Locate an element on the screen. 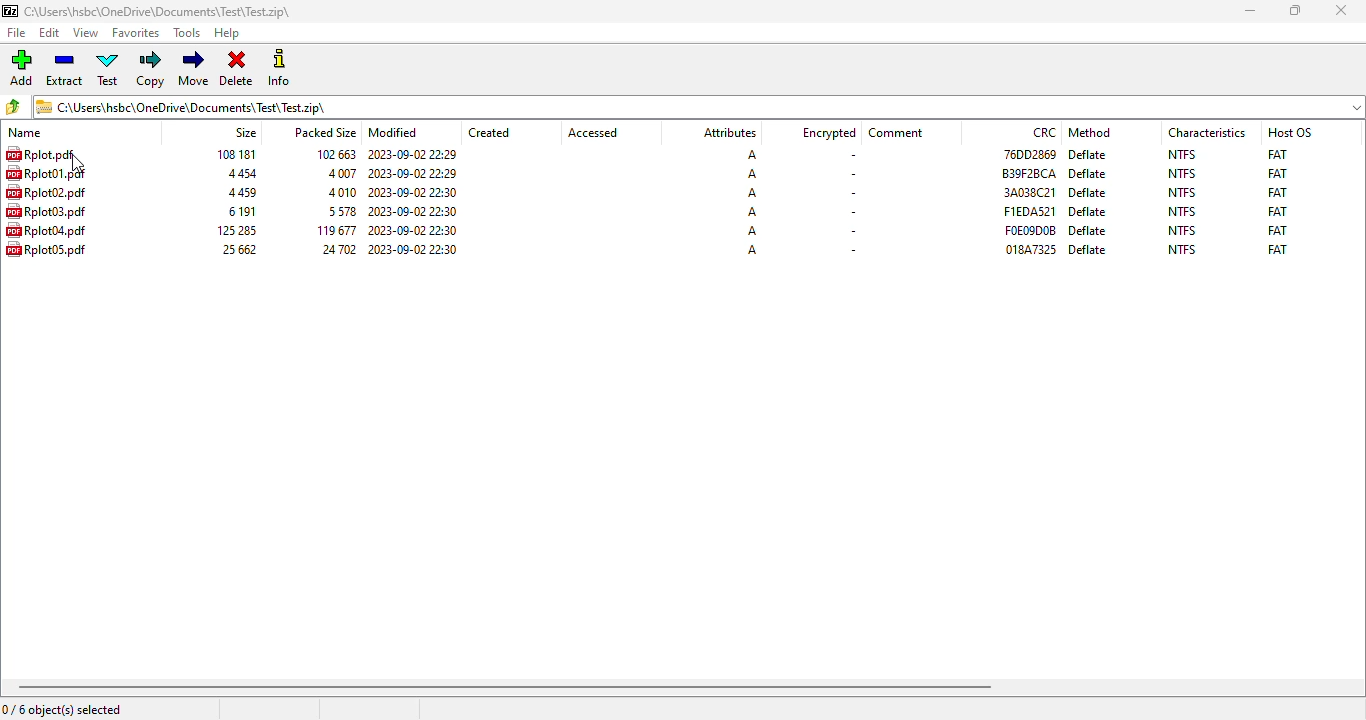 This screenshot has width=1366, height=720. horizontal scroll bar is located at coordinates (505, 687).